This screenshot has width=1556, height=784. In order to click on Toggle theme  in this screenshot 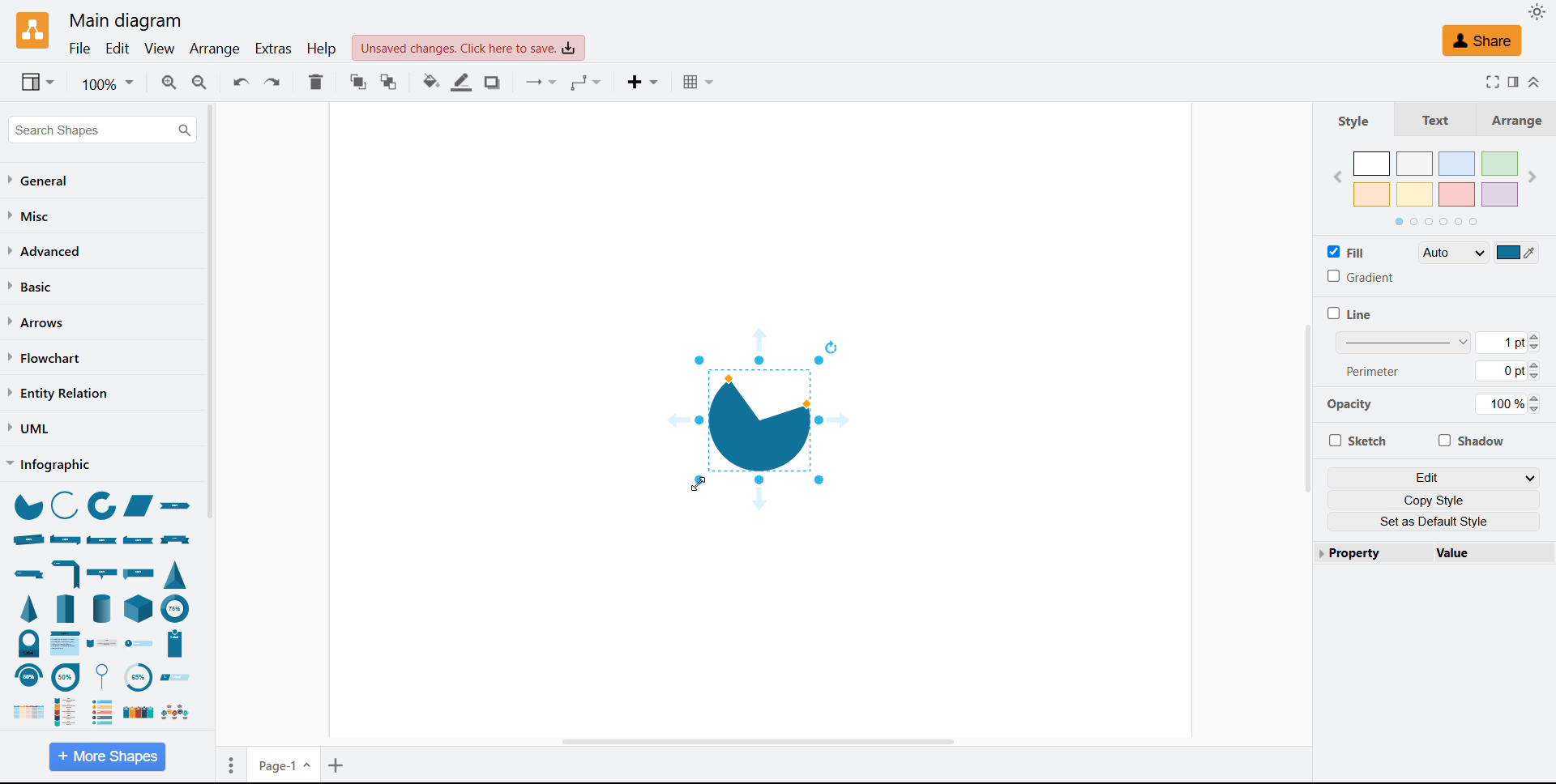, I will do `click(1538, 11)`.